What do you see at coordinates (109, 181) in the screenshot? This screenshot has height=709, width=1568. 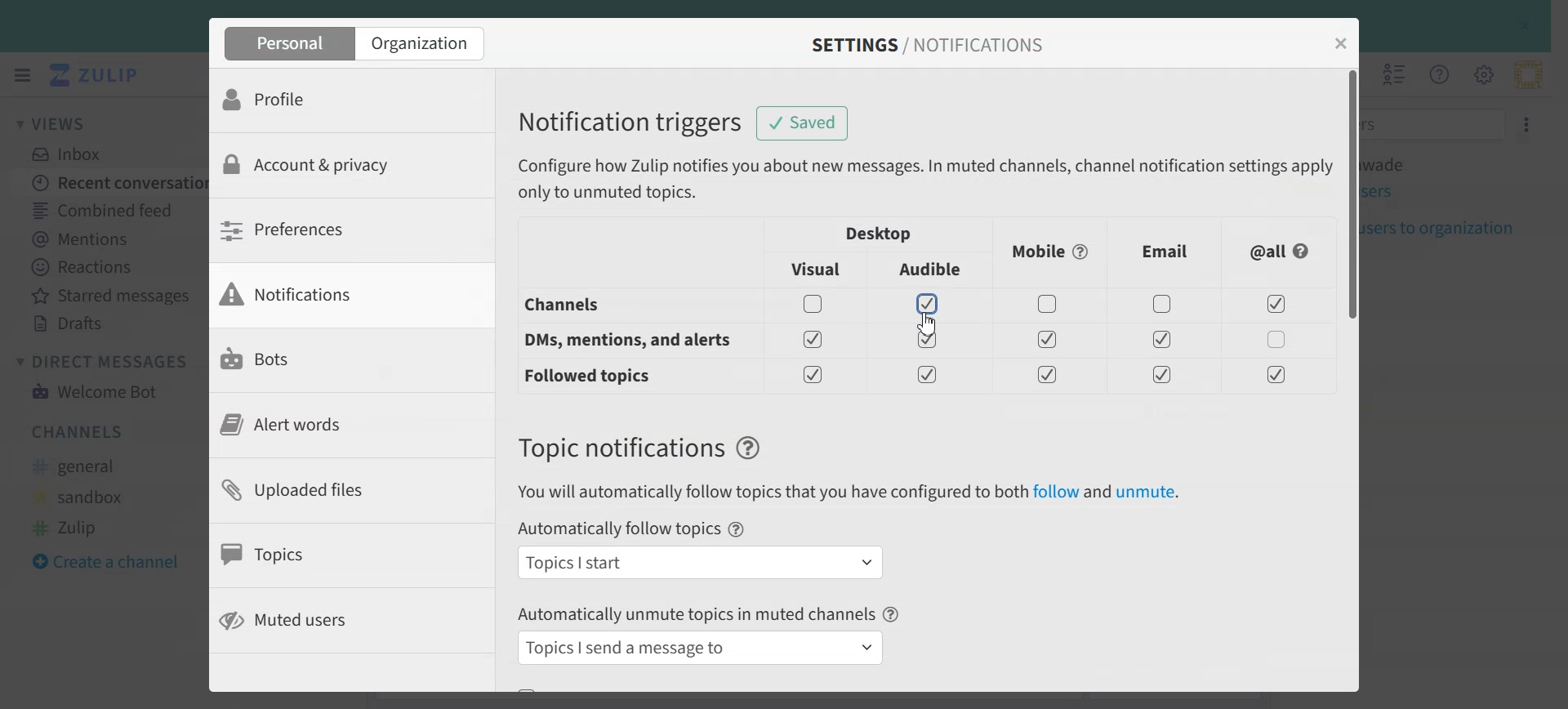 I see `Recent conversation` at bounding box center [109, 181].